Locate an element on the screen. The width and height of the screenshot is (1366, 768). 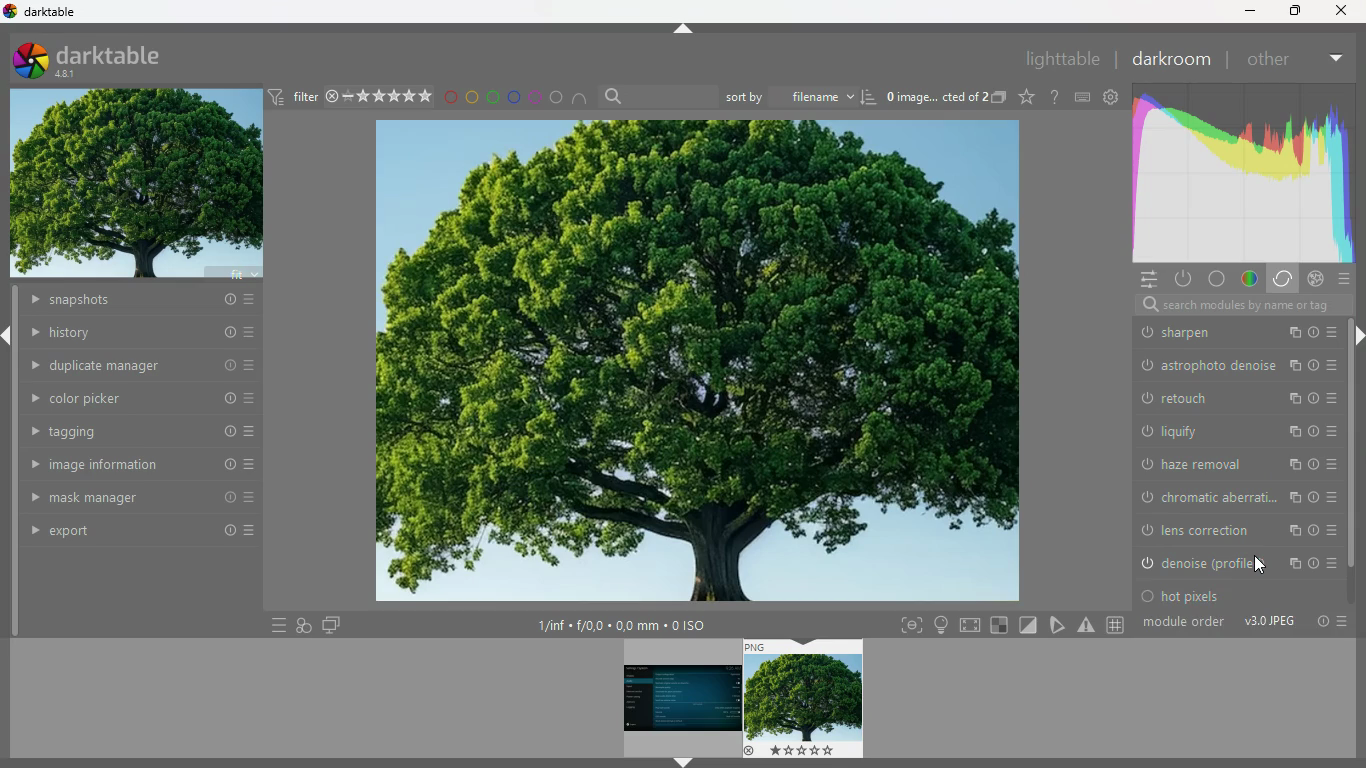
search is located at coordinates (1230, 306).